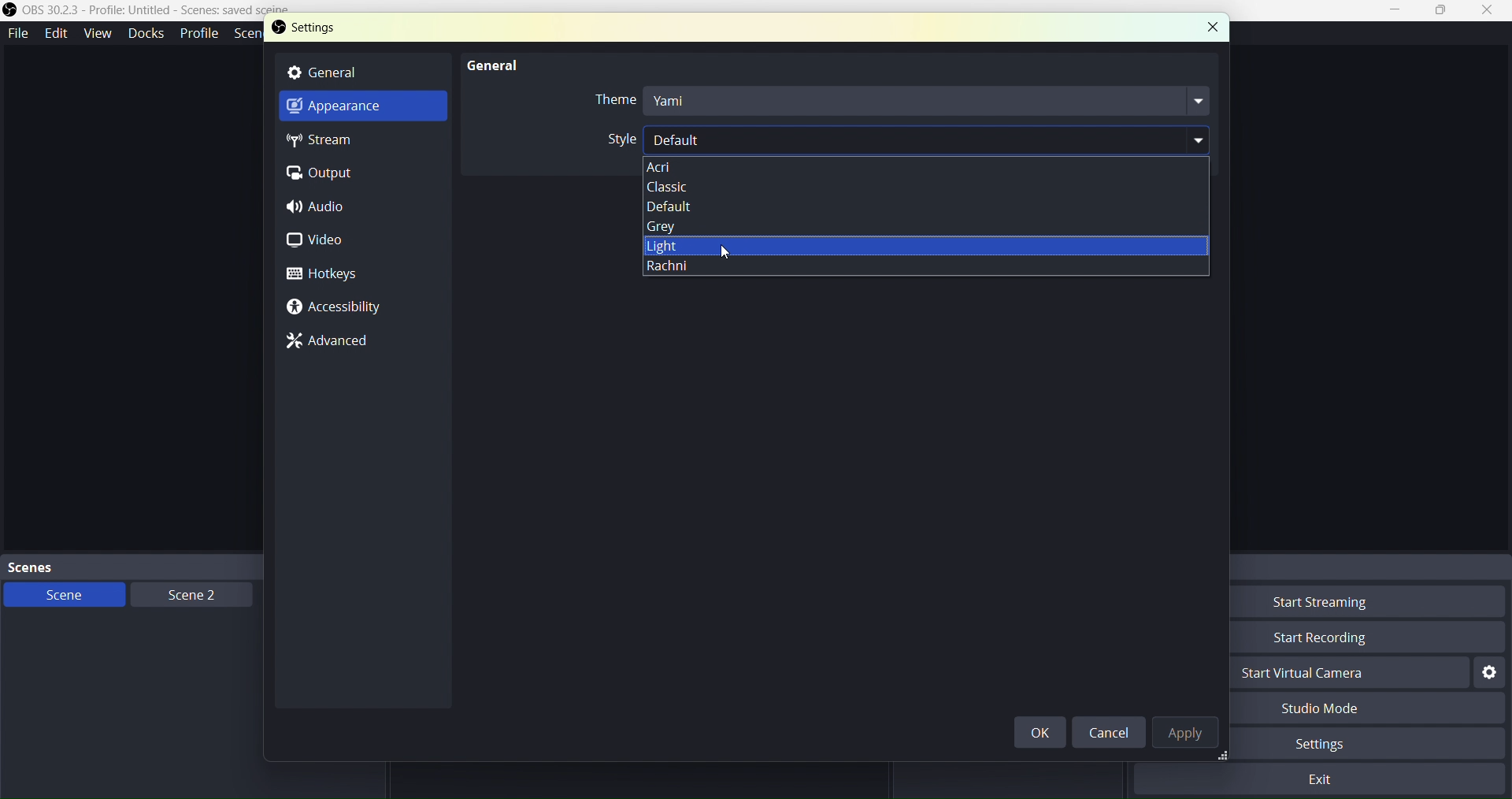 The height and width of the screenshot is (799, 1512). Describe the element at coordinates (144, 32) in the screenshot. I see `Docks` at that location.